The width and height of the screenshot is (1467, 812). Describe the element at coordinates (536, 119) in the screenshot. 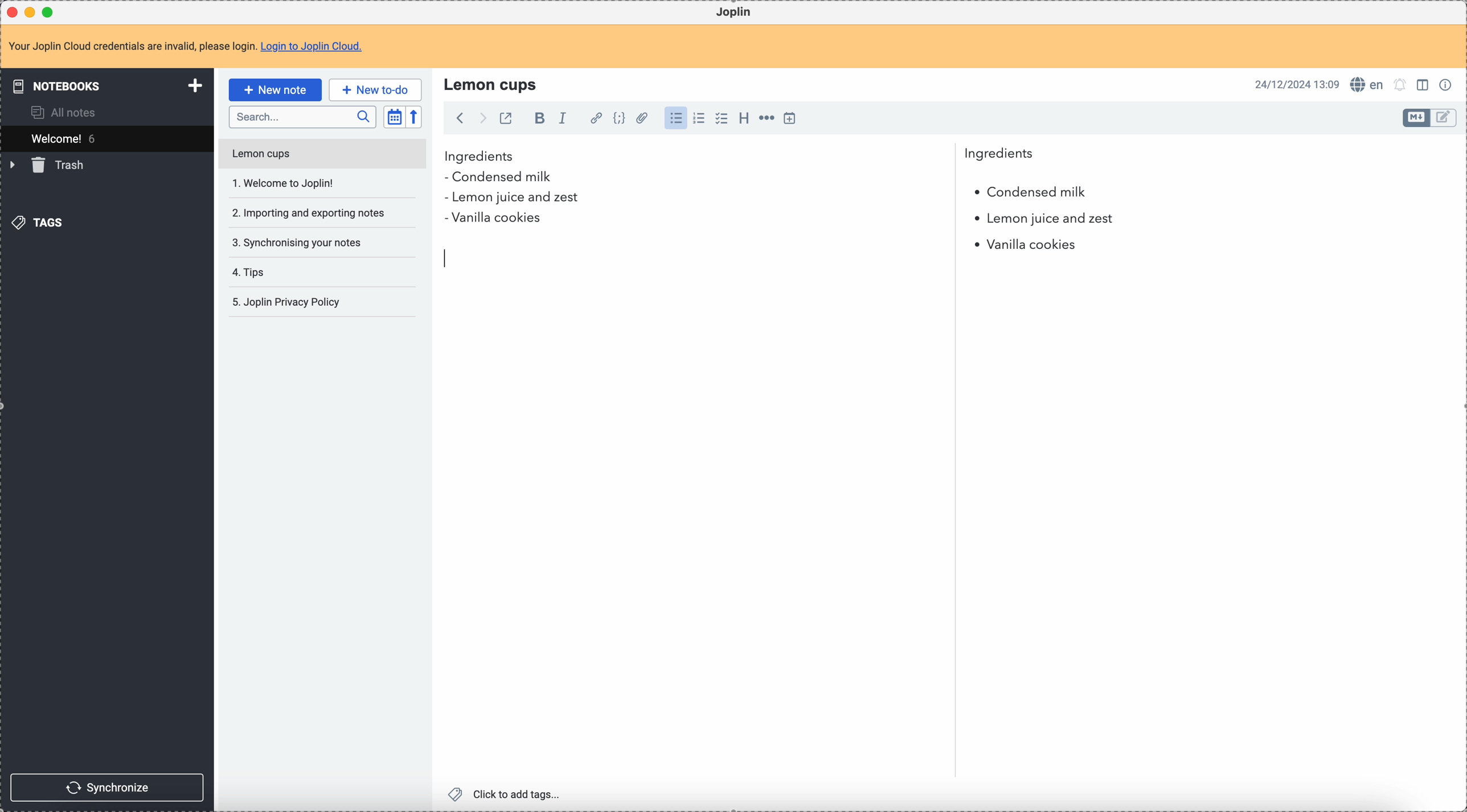

I see `bold` at that location.